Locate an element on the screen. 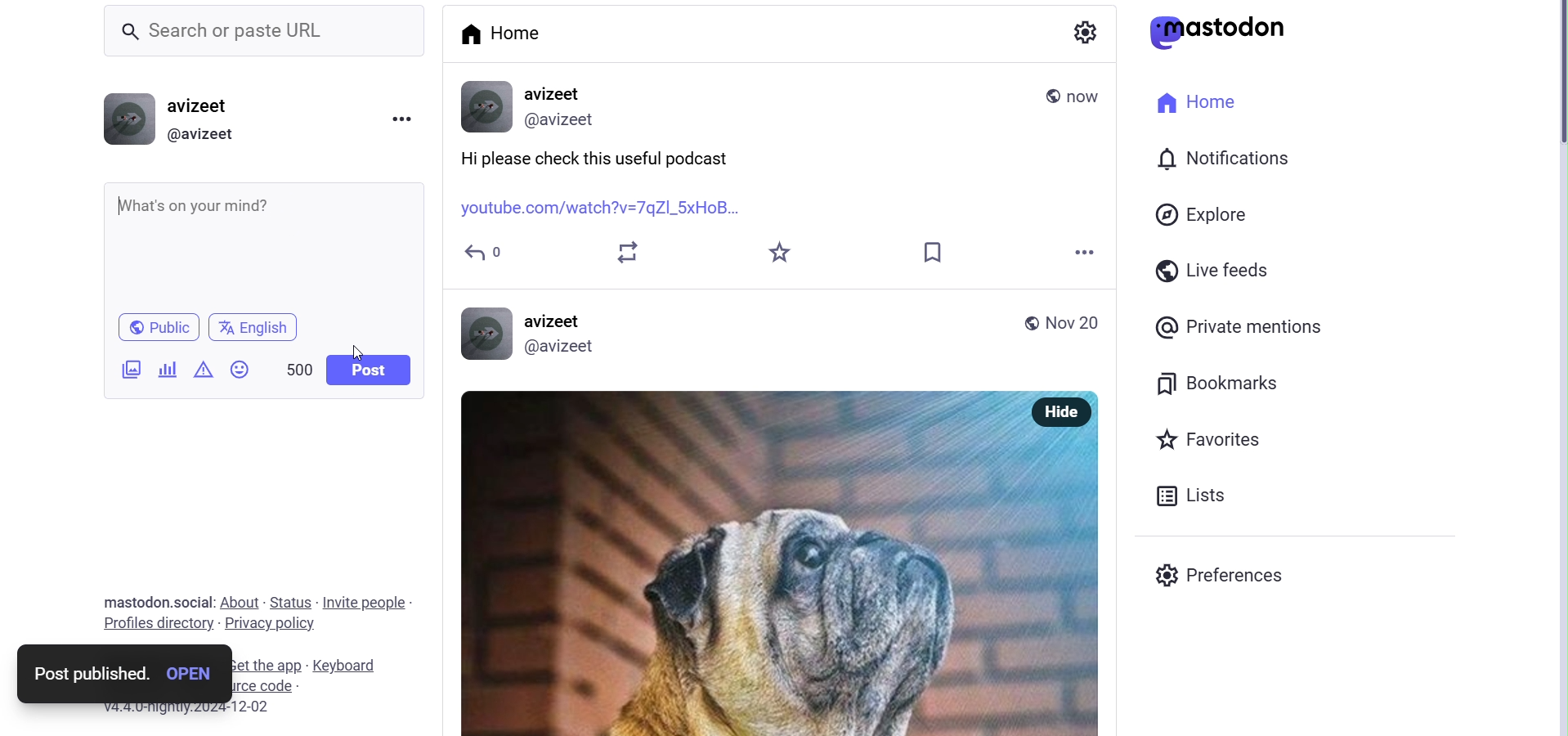  @avizeet is located at coordinates (567, 120).